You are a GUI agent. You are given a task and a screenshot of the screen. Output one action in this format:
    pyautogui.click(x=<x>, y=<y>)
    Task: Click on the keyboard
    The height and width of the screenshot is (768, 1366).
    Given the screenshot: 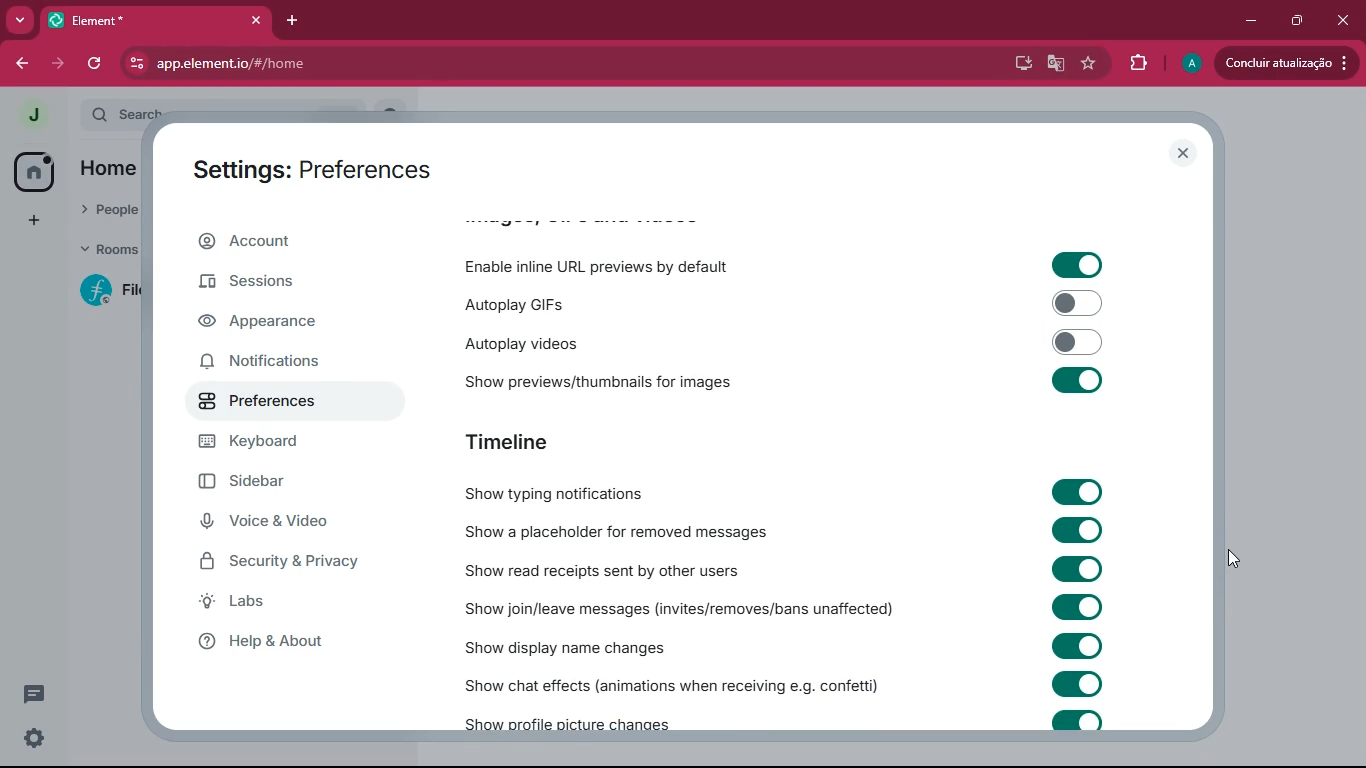 What is the action you would take?
    pyautogui.click(x=282, y=442)
    